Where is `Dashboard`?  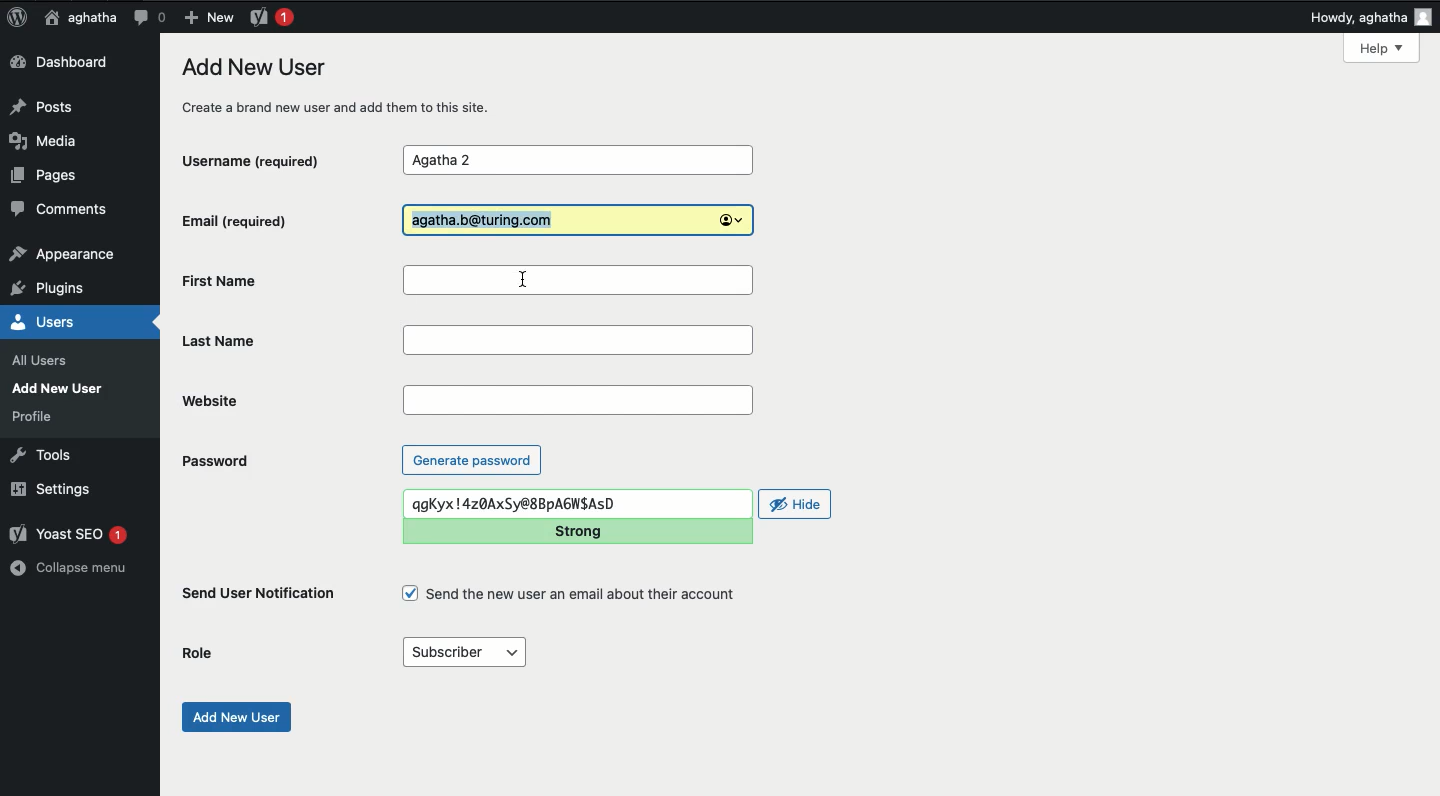 Dashboard is located at coordinates (65, 63).